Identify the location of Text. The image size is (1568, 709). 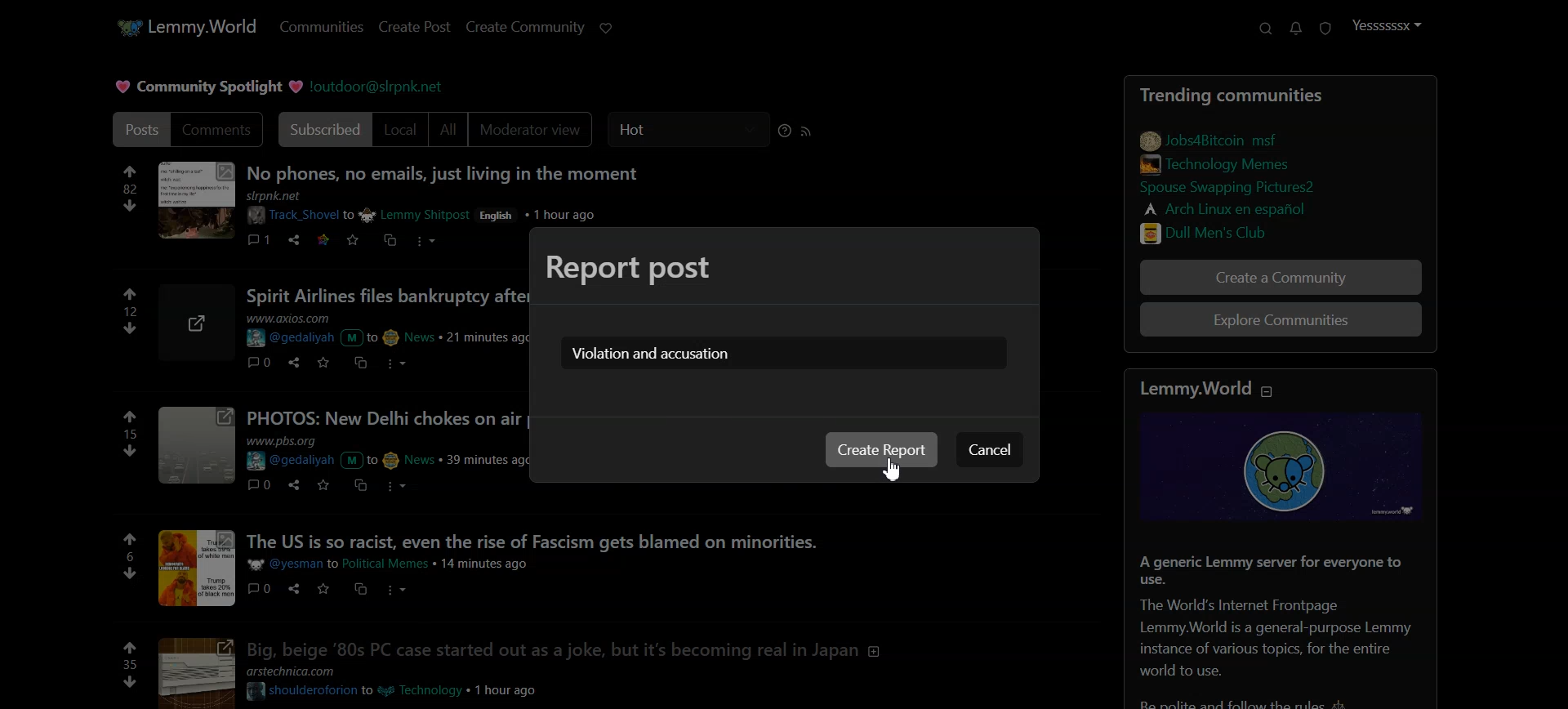
(205, 87).